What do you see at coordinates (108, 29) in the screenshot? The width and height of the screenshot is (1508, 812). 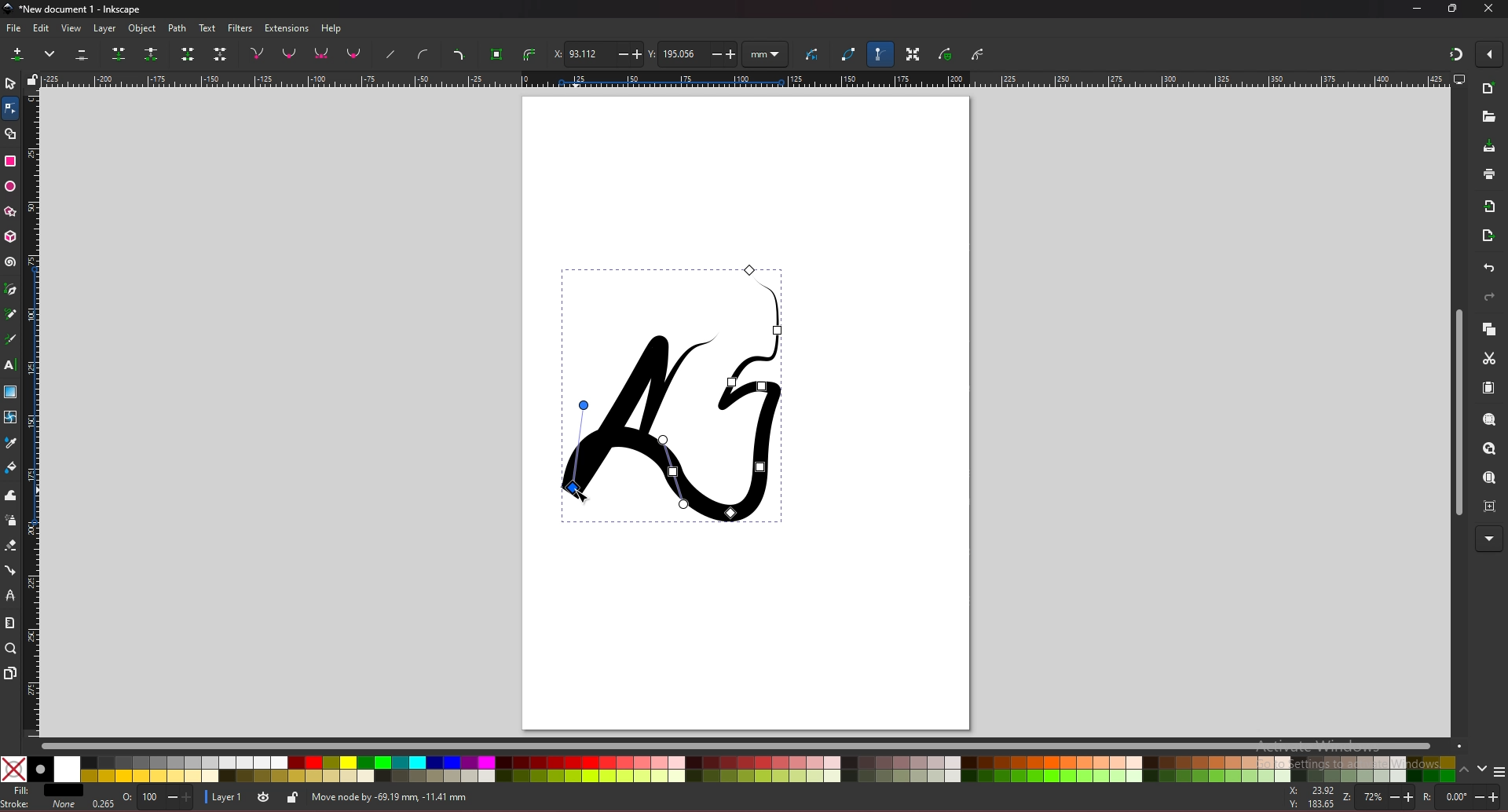 I see `layer` at bounding box center [108, 29].